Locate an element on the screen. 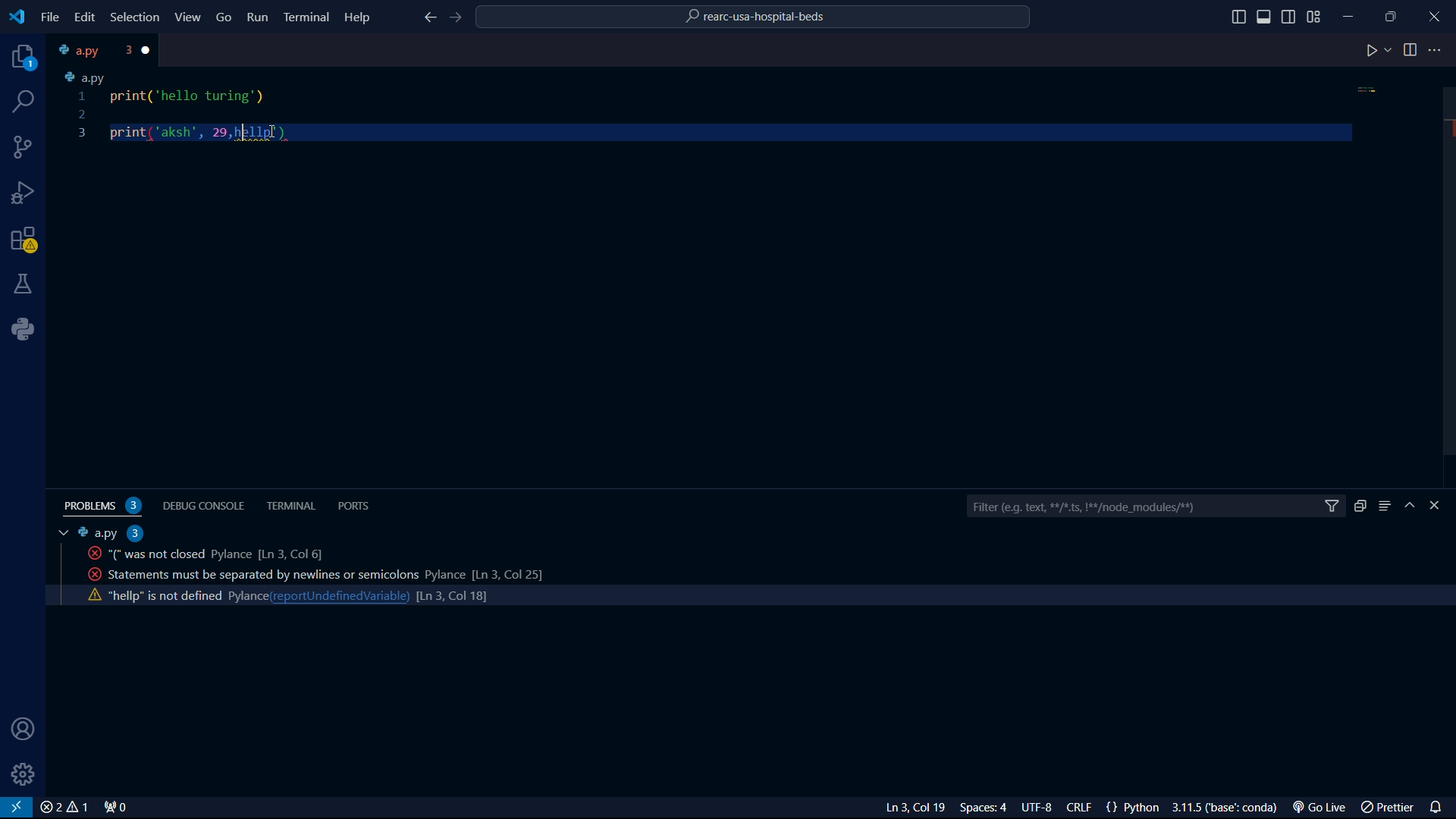 This screenshot has height=819, width=1456. maximize is located at coordinates (1393, 16).